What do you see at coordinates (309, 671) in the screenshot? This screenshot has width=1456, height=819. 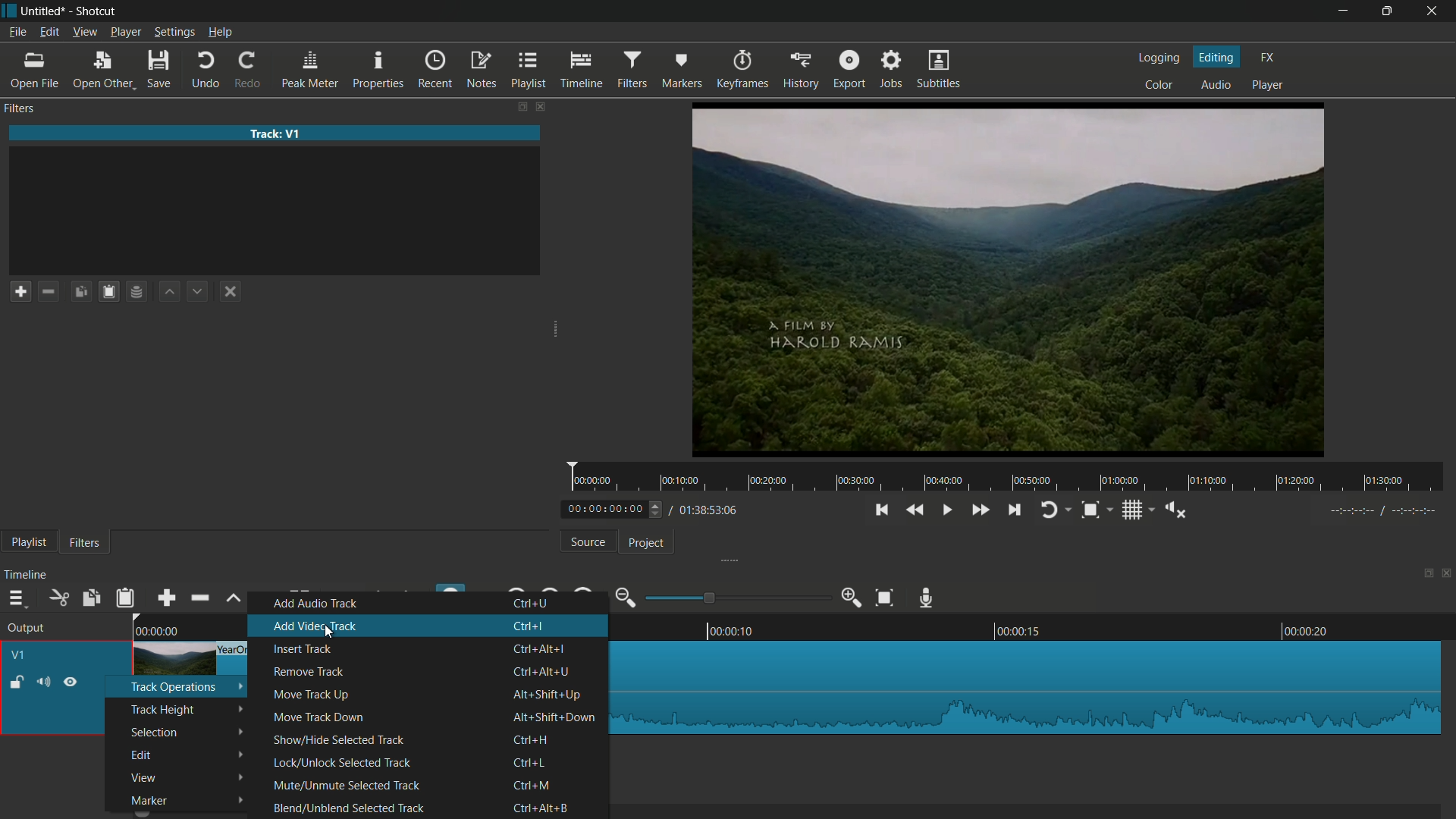 I see `remove track` at bounding box center [309, 671].